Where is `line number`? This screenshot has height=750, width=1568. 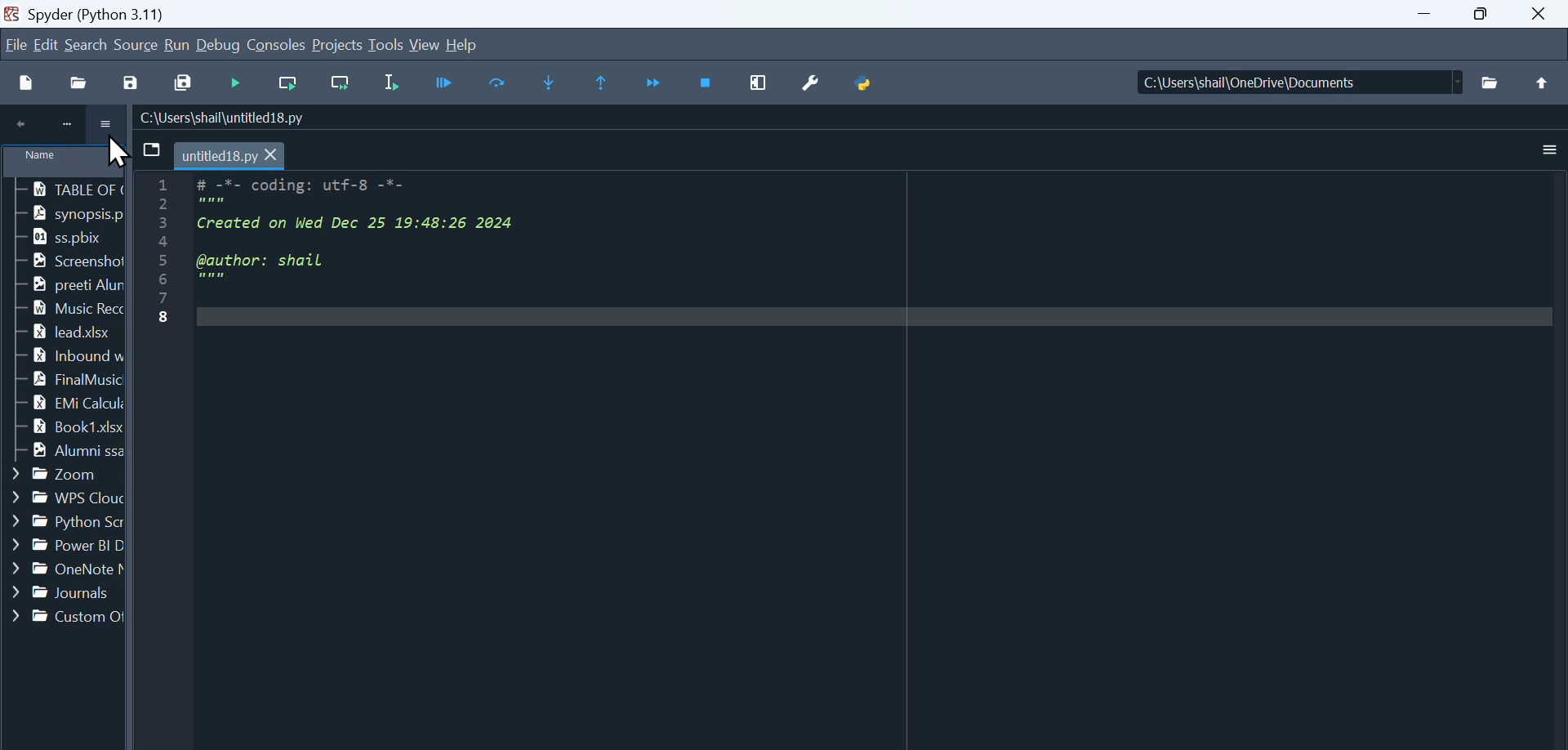
line number is located at coordinates (163, 355).